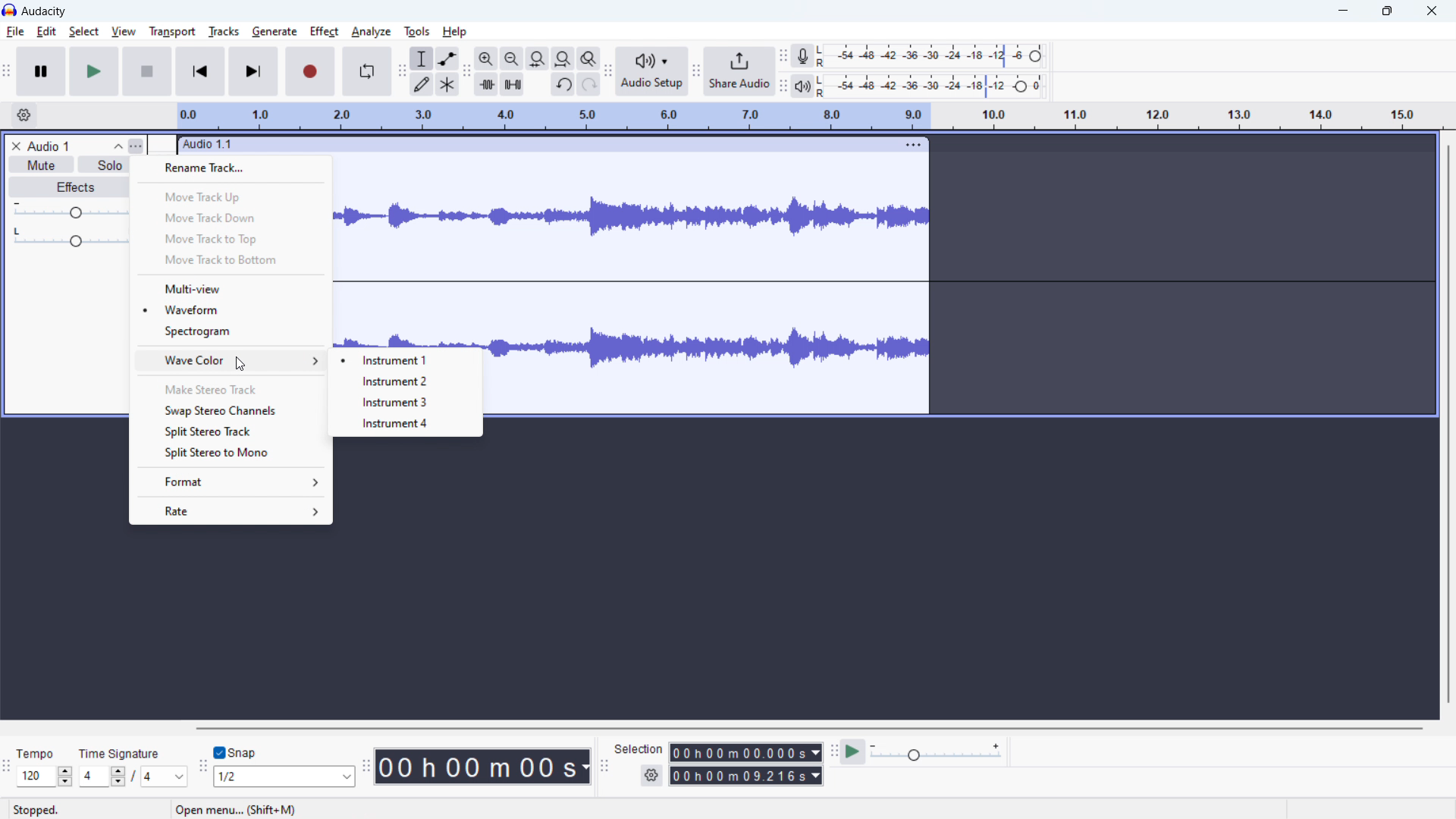 Image resolution: width=1456 pixels, height=819 pixels. I want to click on set time signature, so click(133, 777).